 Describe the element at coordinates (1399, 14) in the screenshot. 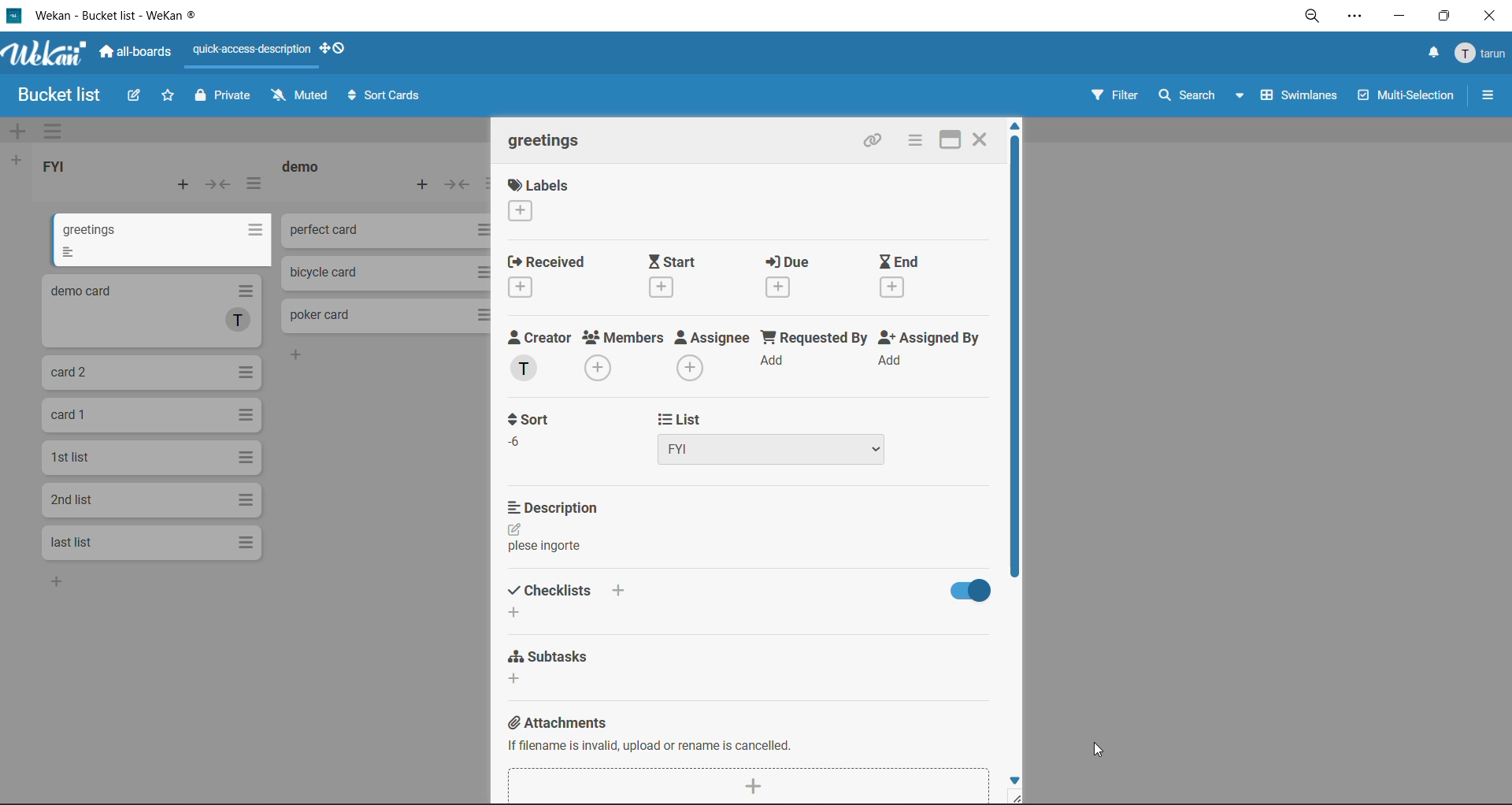

I see `minimize` at that location.